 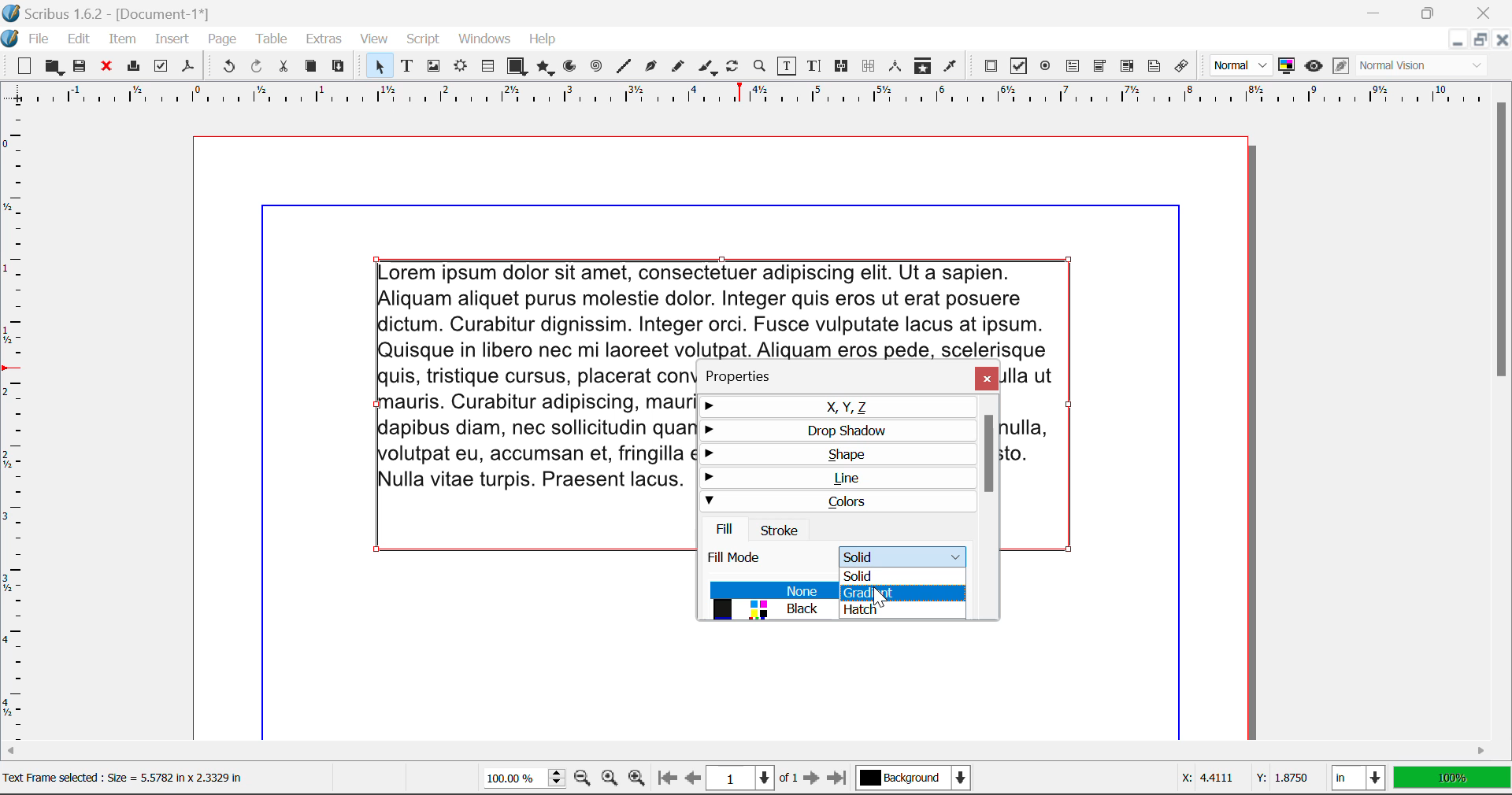 I want to click on Edit Contents of Frame, so click(x=787, y=68).